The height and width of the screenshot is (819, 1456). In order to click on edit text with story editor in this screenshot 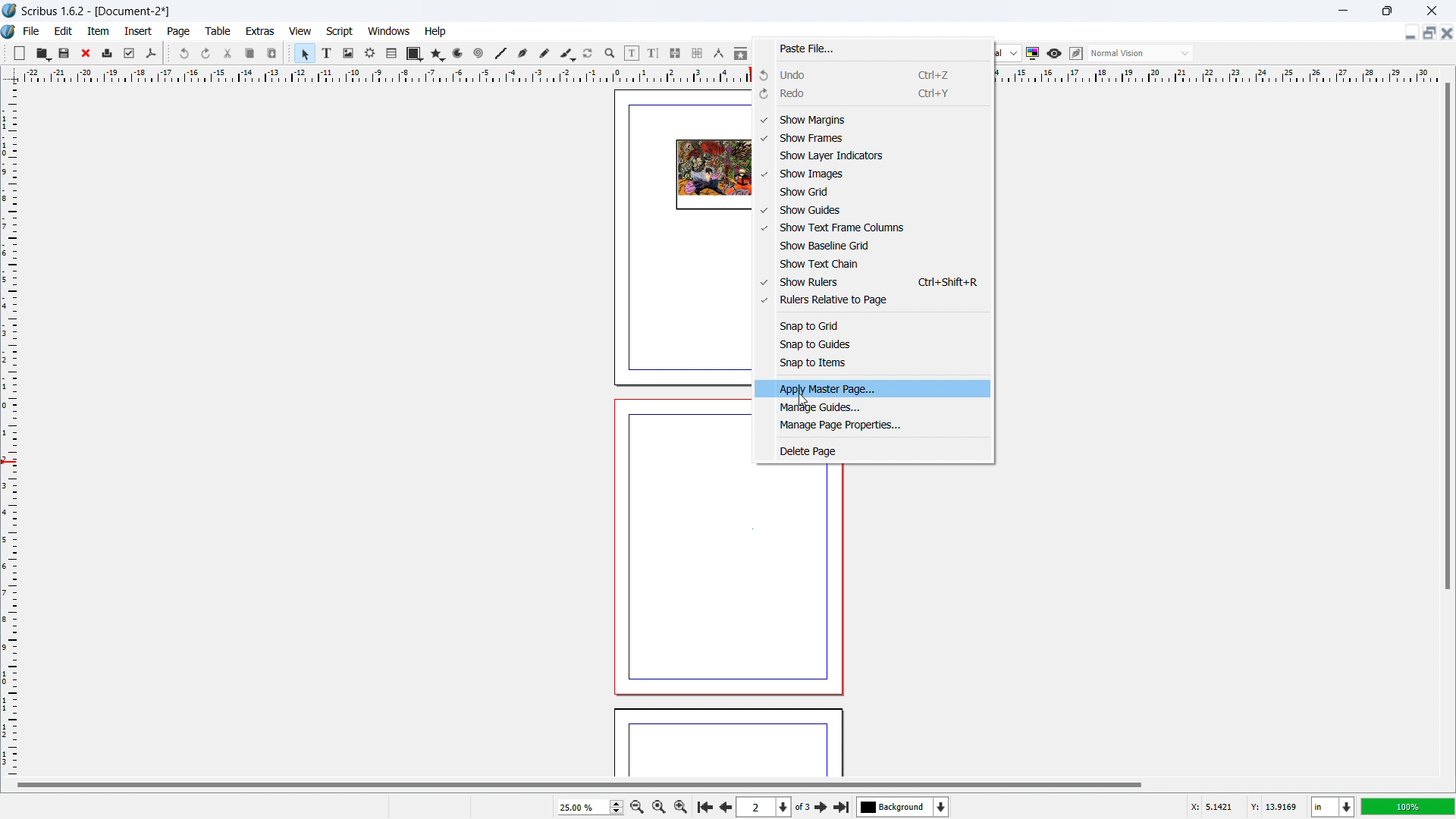, I will do `click(653, 53)`.